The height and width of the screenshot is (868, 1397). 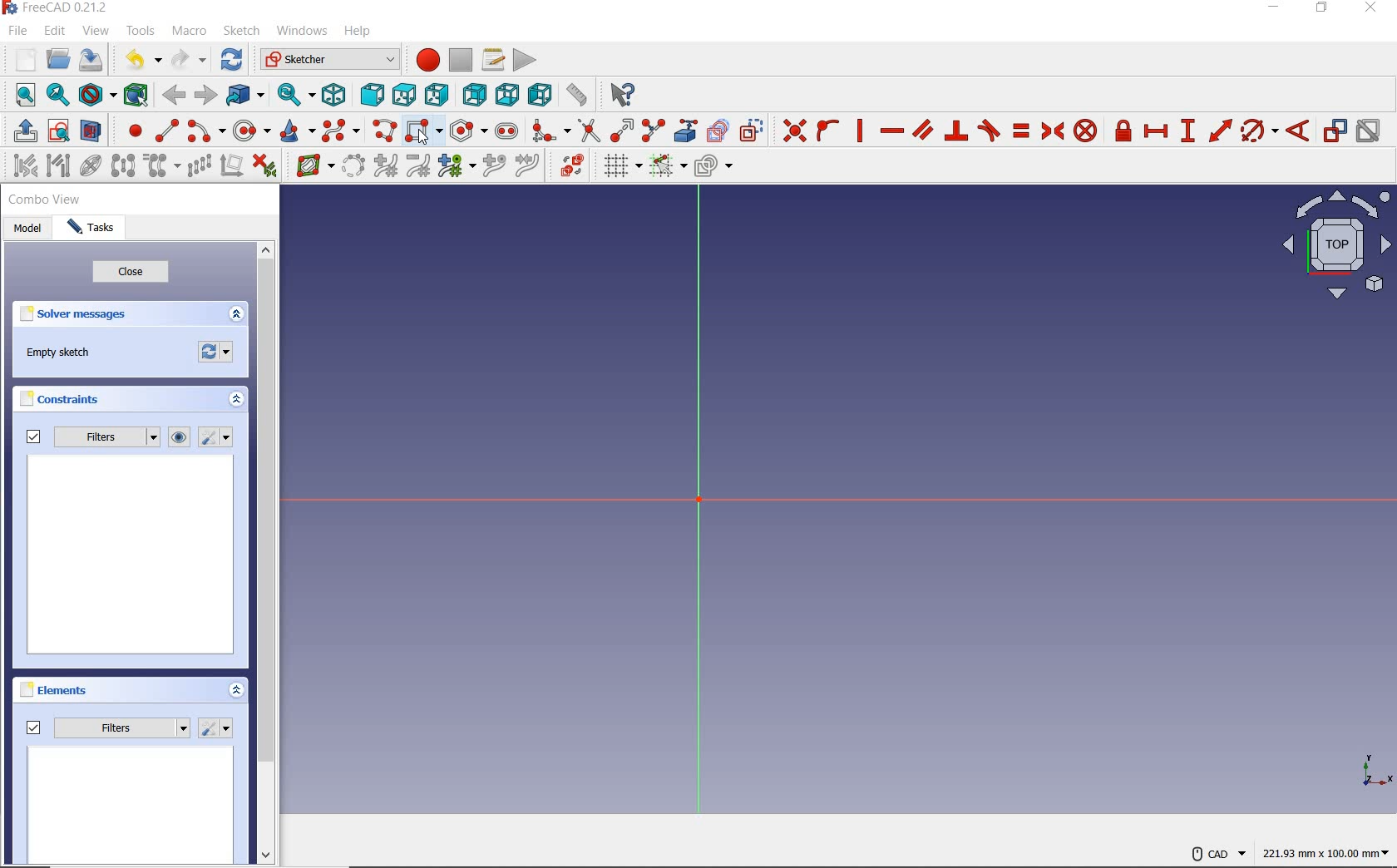 I want to click on clone, so click(x=163, y=167).